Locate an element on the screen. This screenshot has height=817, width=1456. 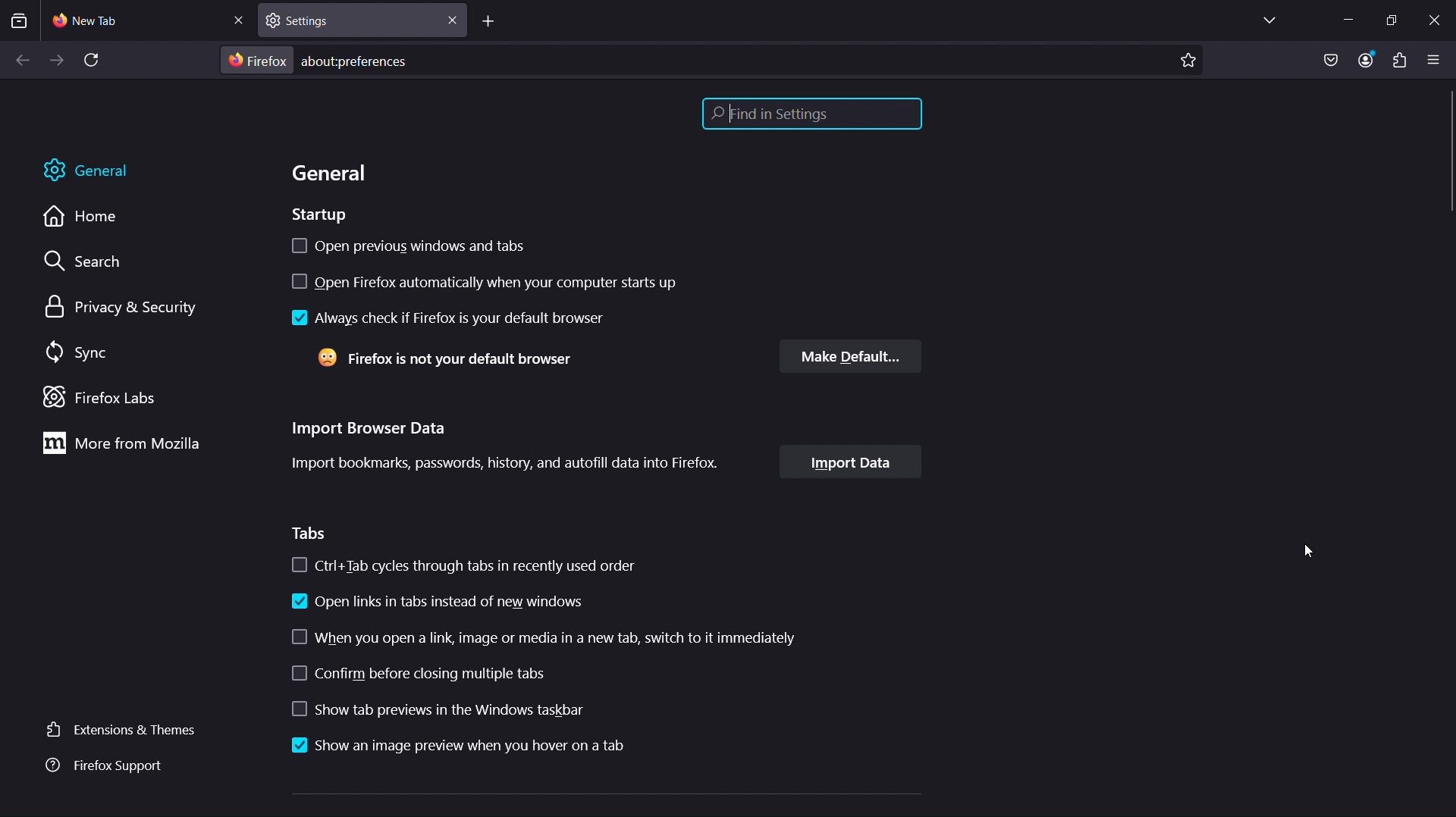
Refresh is located at coordinates (98, 61).